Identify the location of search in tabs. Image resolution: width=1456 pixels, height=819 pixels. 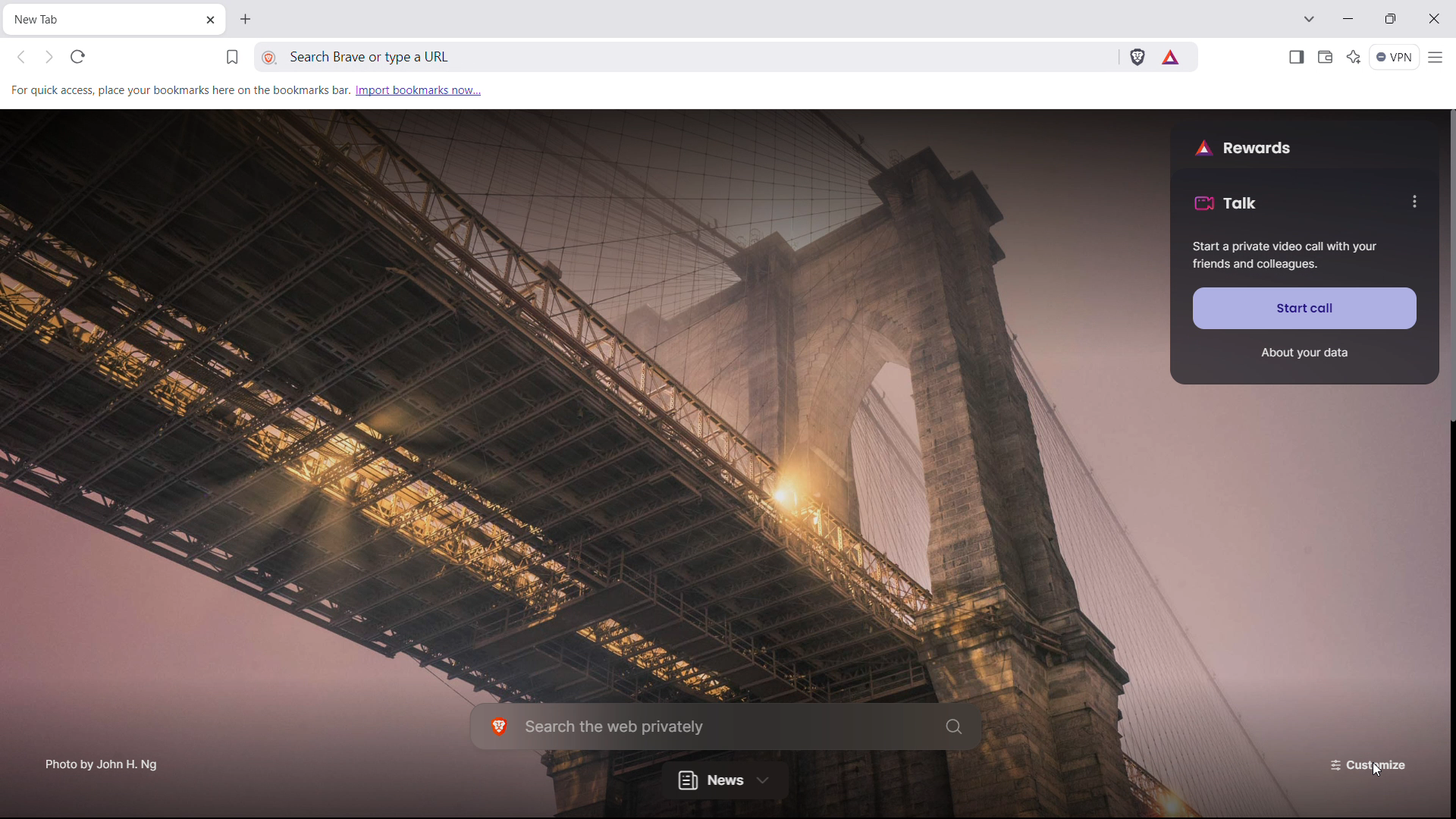
(1308, 17).